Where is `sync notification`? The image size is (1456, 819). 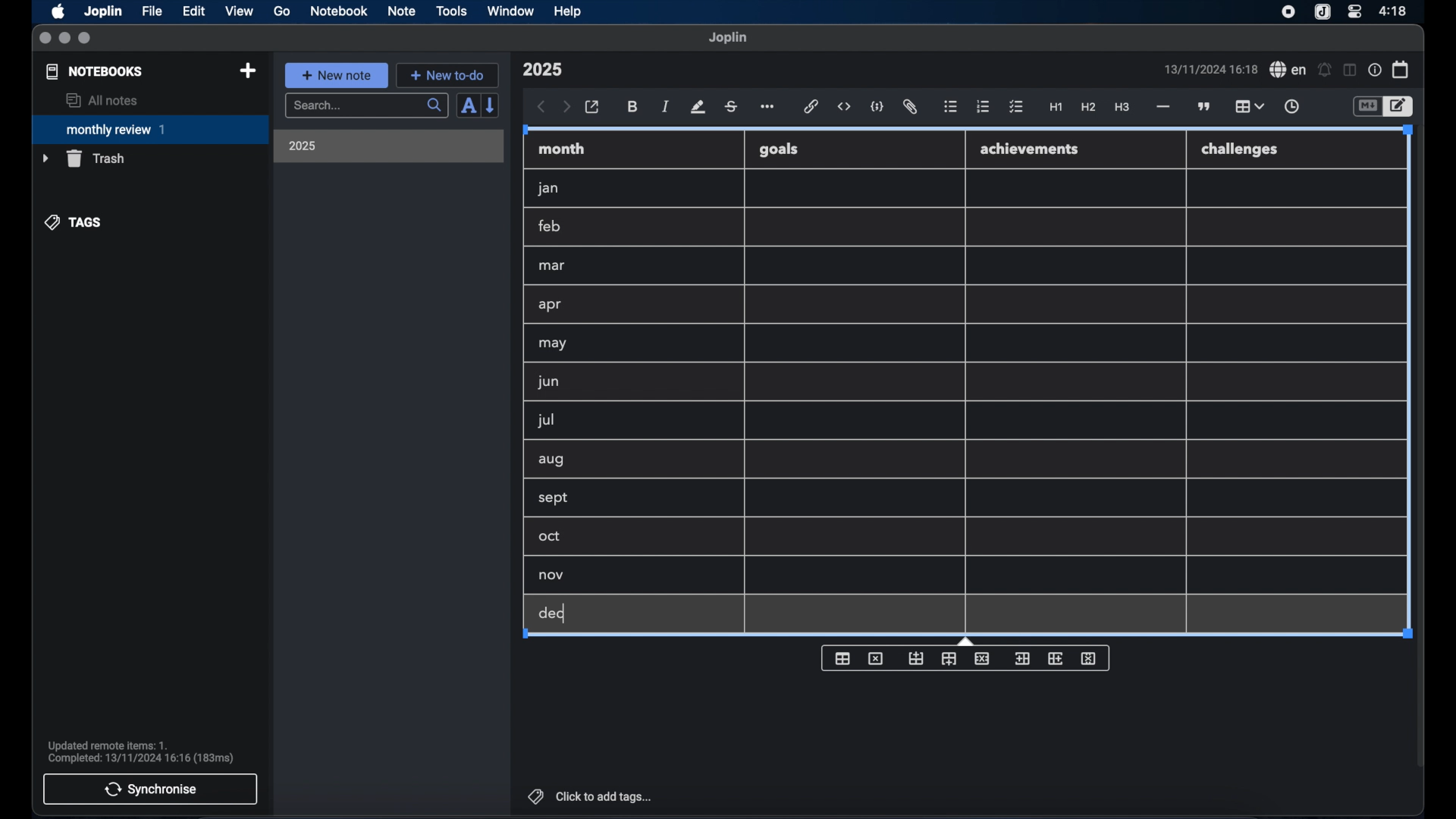
sync notification is located at coordinates (141, 752).